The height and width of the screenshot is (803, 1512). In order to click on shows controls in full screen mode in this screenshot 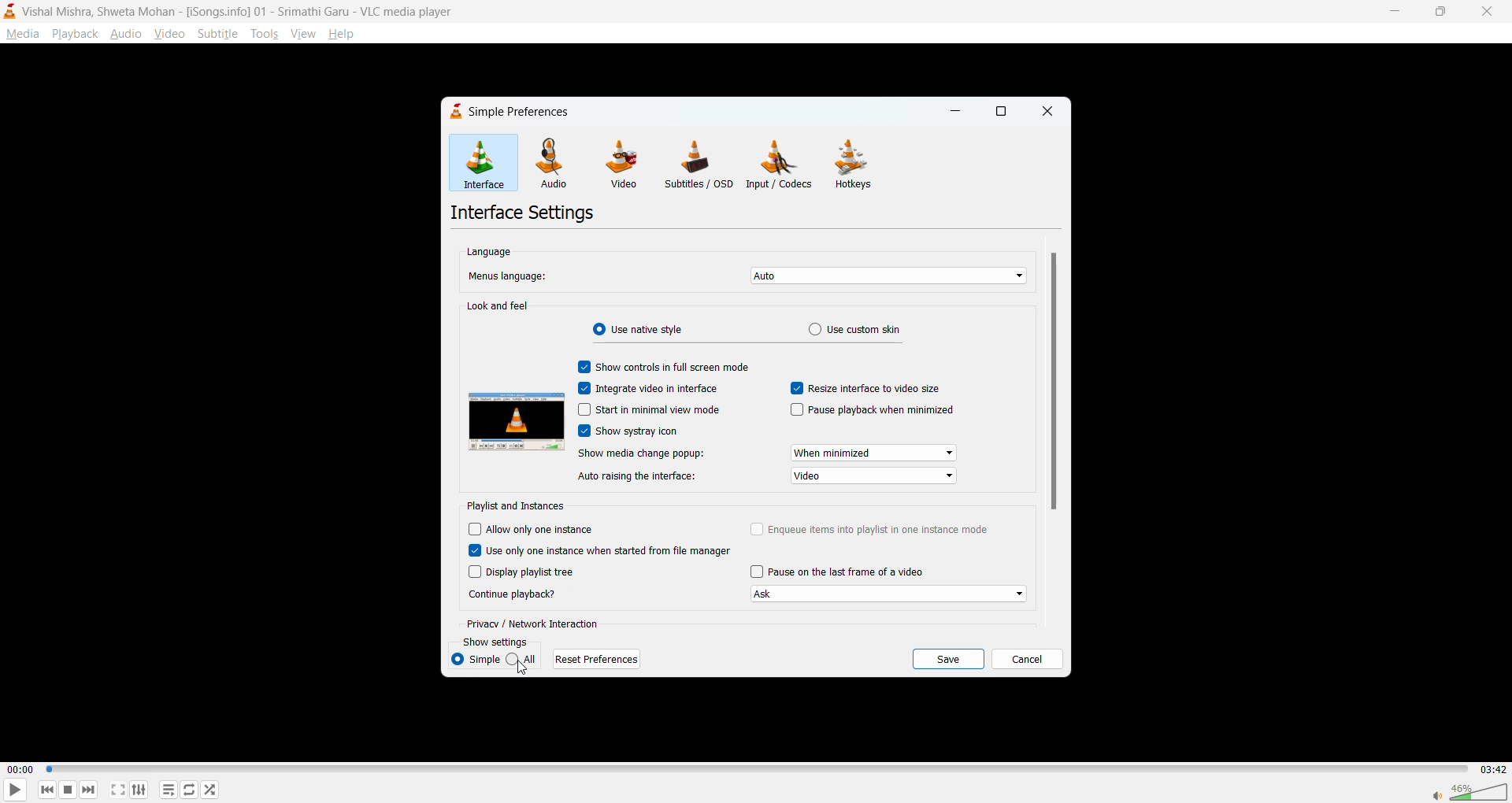, I will do `click(665, 367)`.